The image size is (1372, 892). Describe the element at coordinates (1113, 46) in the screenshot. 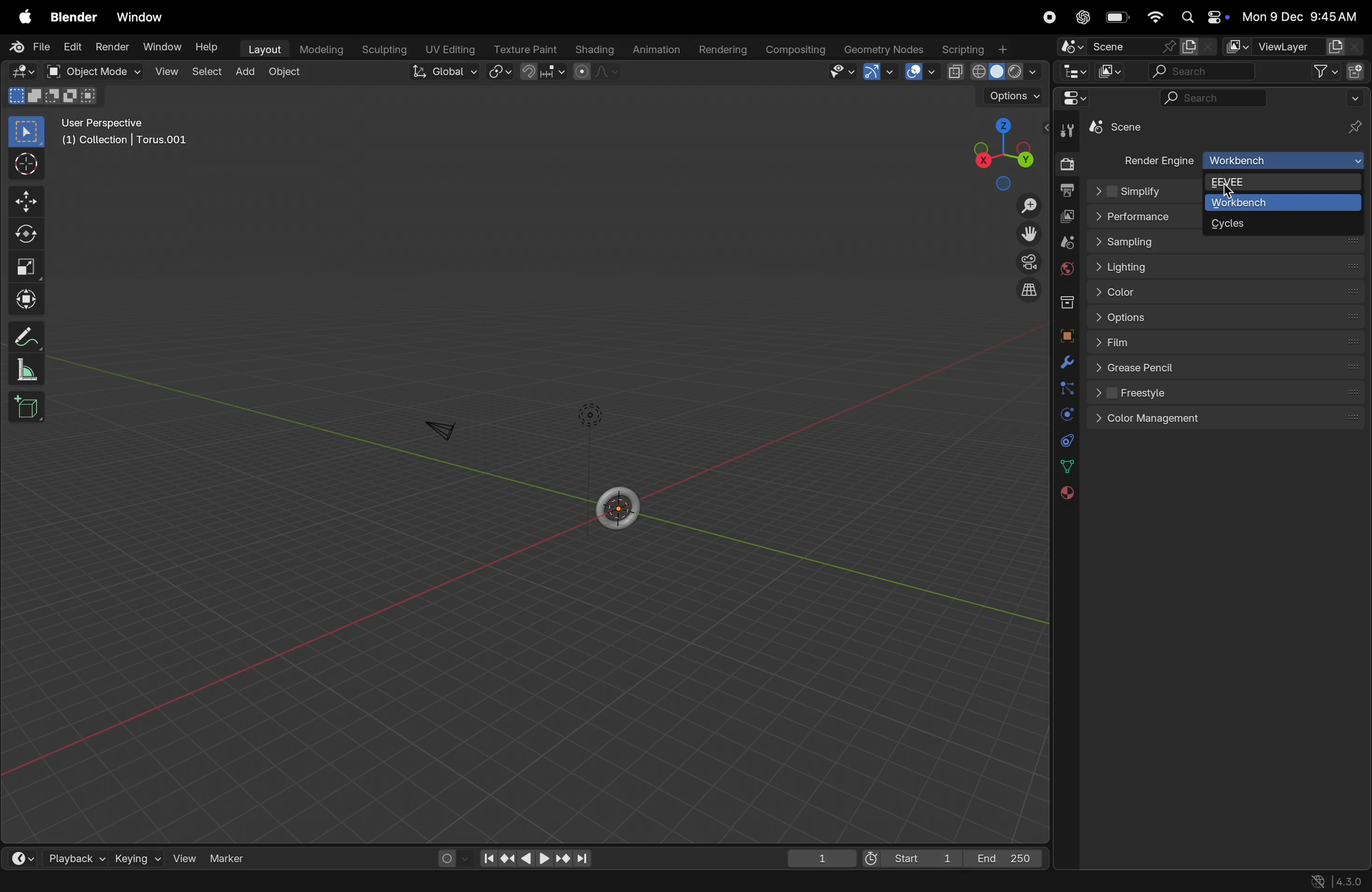

I see `scene` at that location.